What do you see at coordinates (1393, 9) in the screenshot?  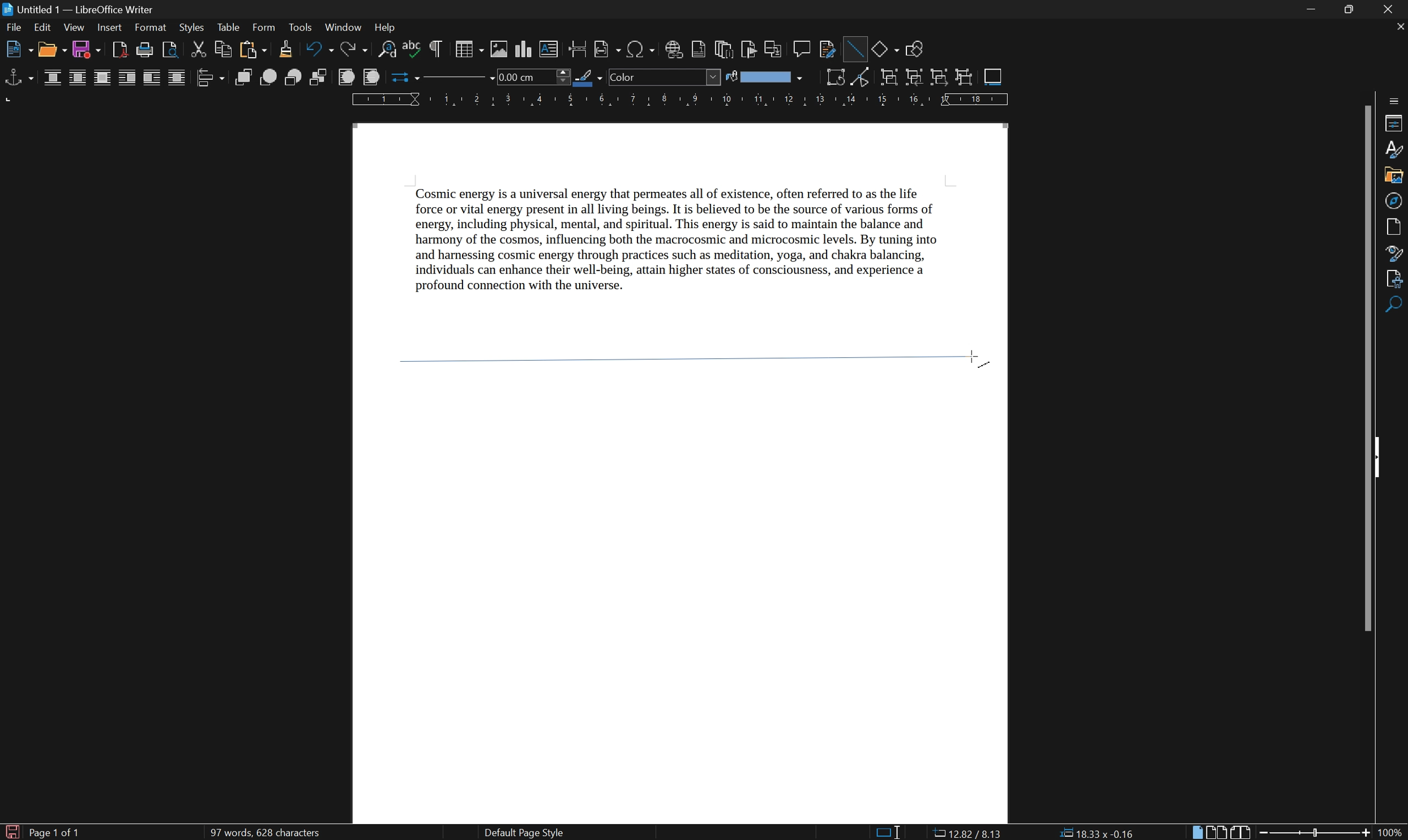 I see `close` at bounding box center [1393, 9].